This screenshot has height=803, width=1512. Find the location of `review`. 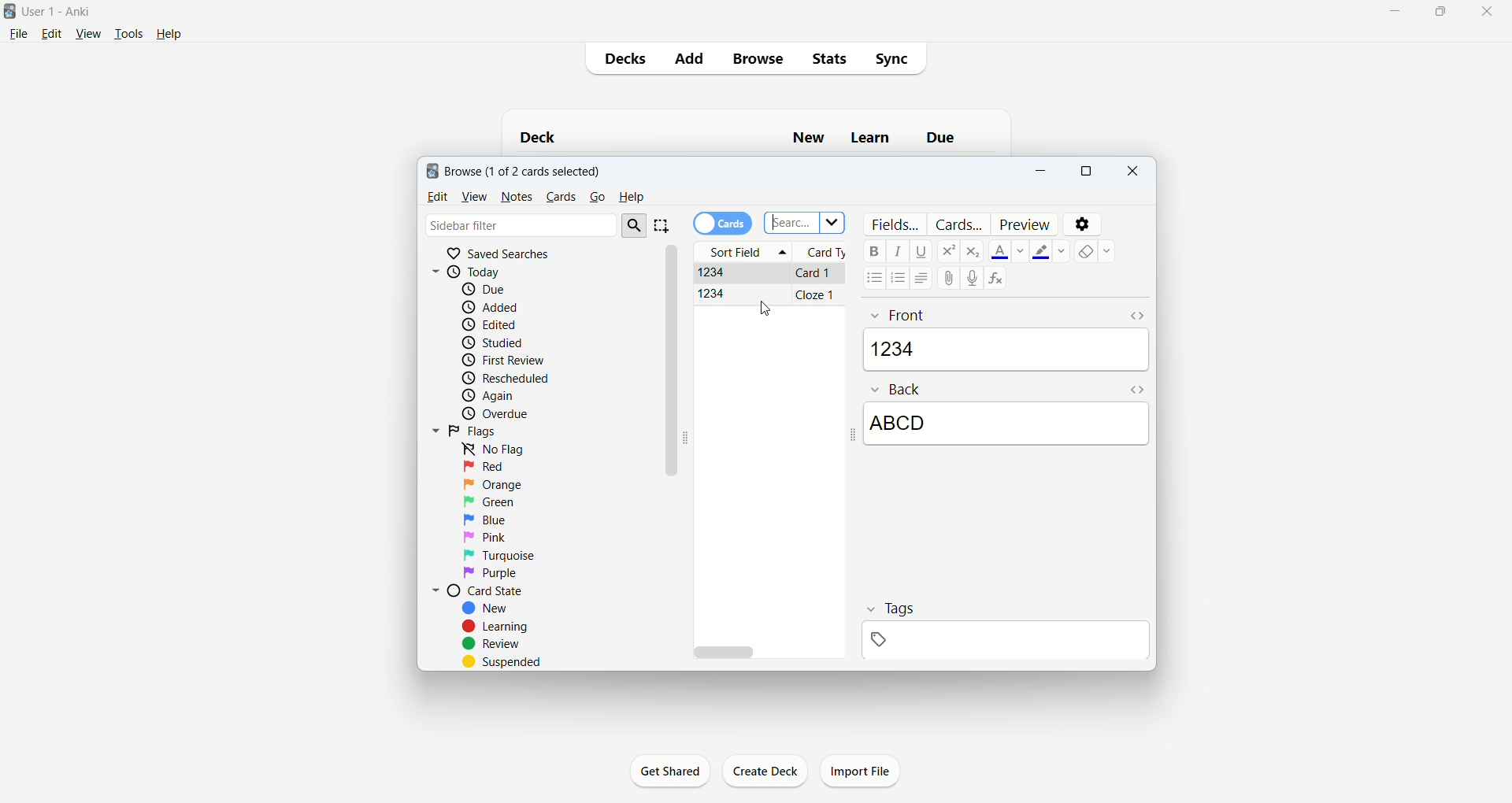

review is located at coordinates (491, 645).